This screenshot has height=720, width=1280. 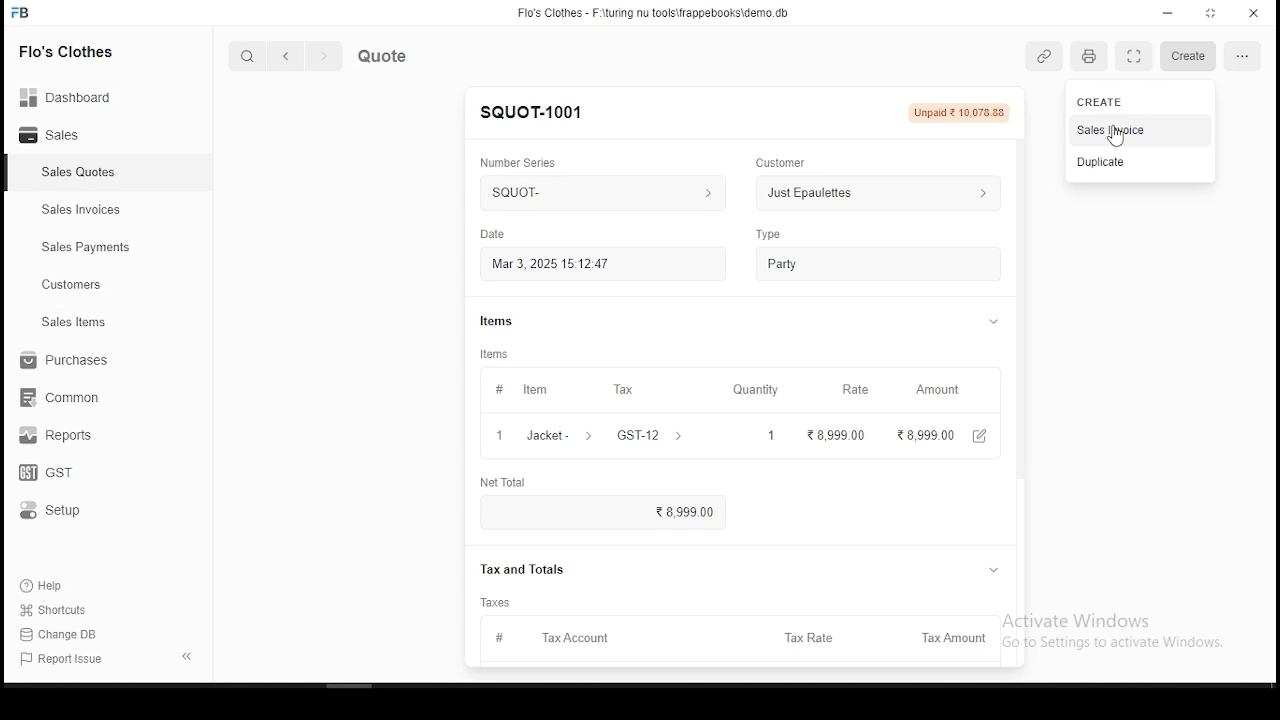 What do you see at coordinates (511, 316) in the screenshot?
I see `items` at bounding box center [511, 316].